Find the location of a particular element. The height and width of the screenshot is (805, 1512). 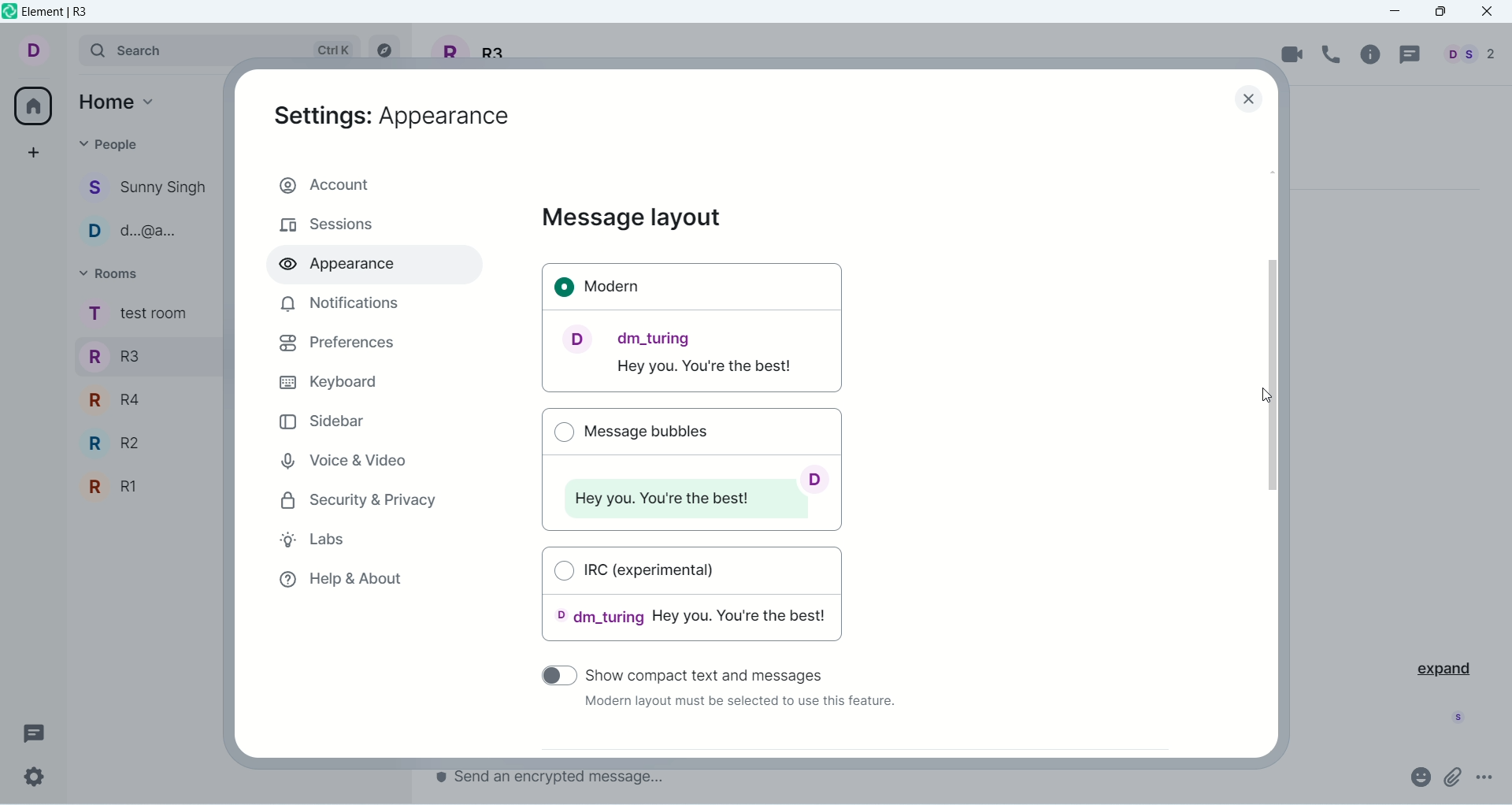

appearance is located at coordinates (344, 267).